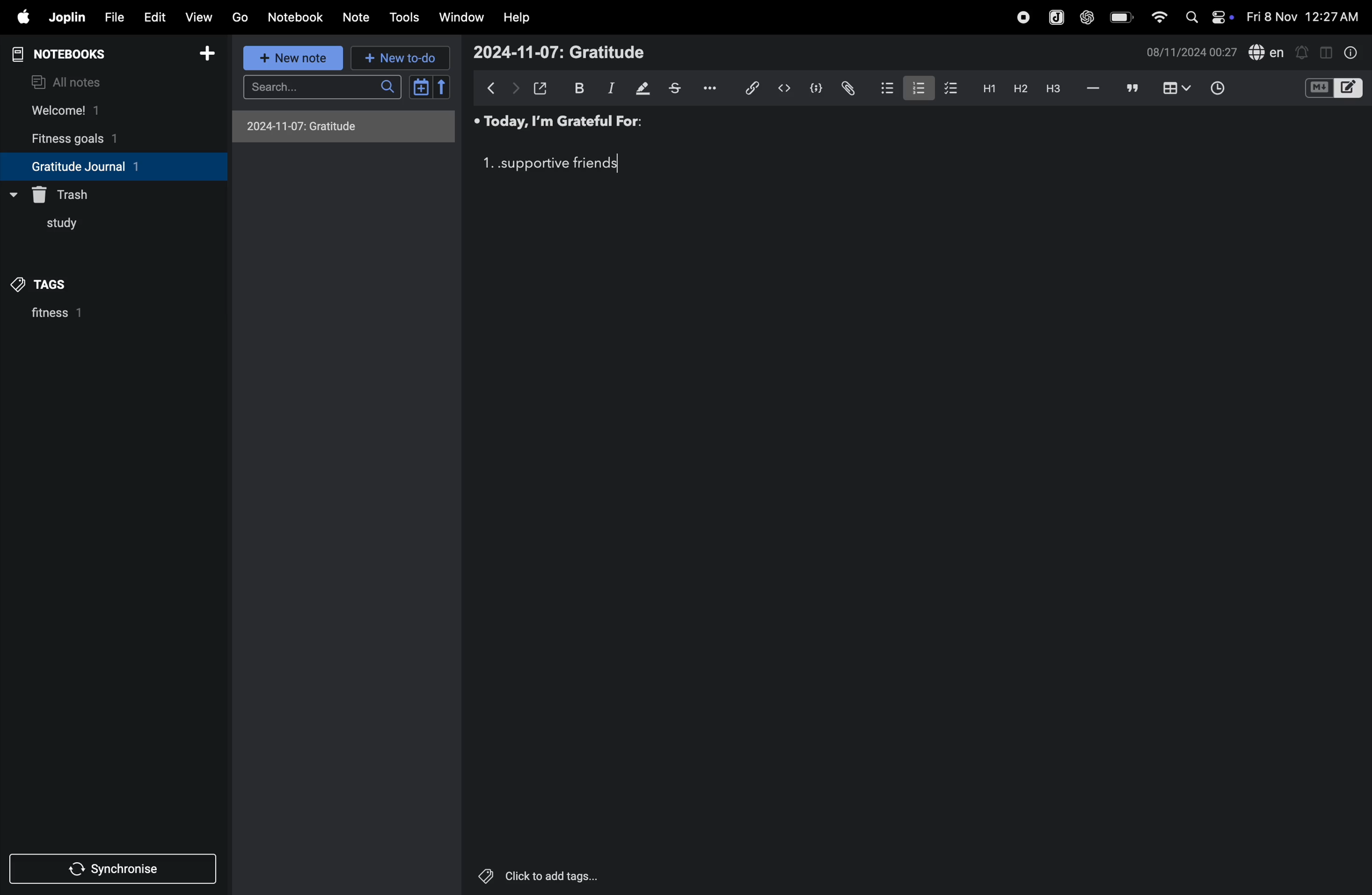 The height and width of the screenshot is (895, 1372). I want to click on tools, so click(404, 18).